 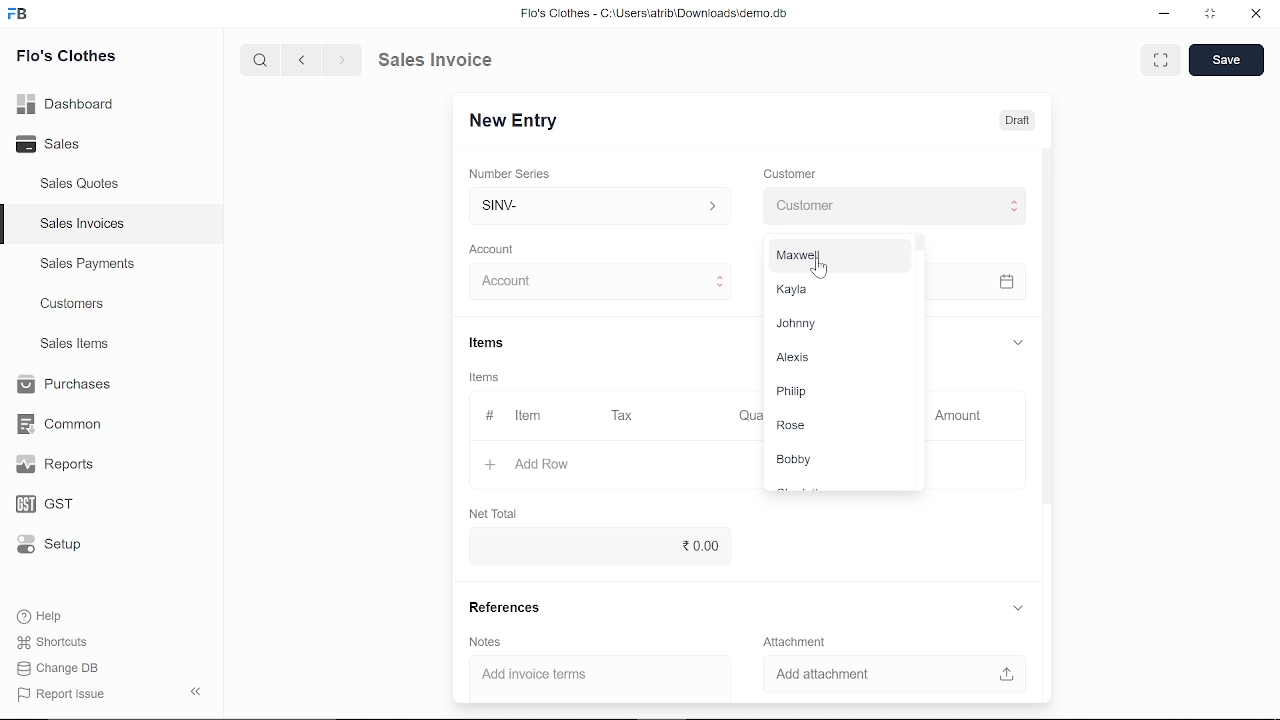 I want to click on previous, so click(x=302, y=59).